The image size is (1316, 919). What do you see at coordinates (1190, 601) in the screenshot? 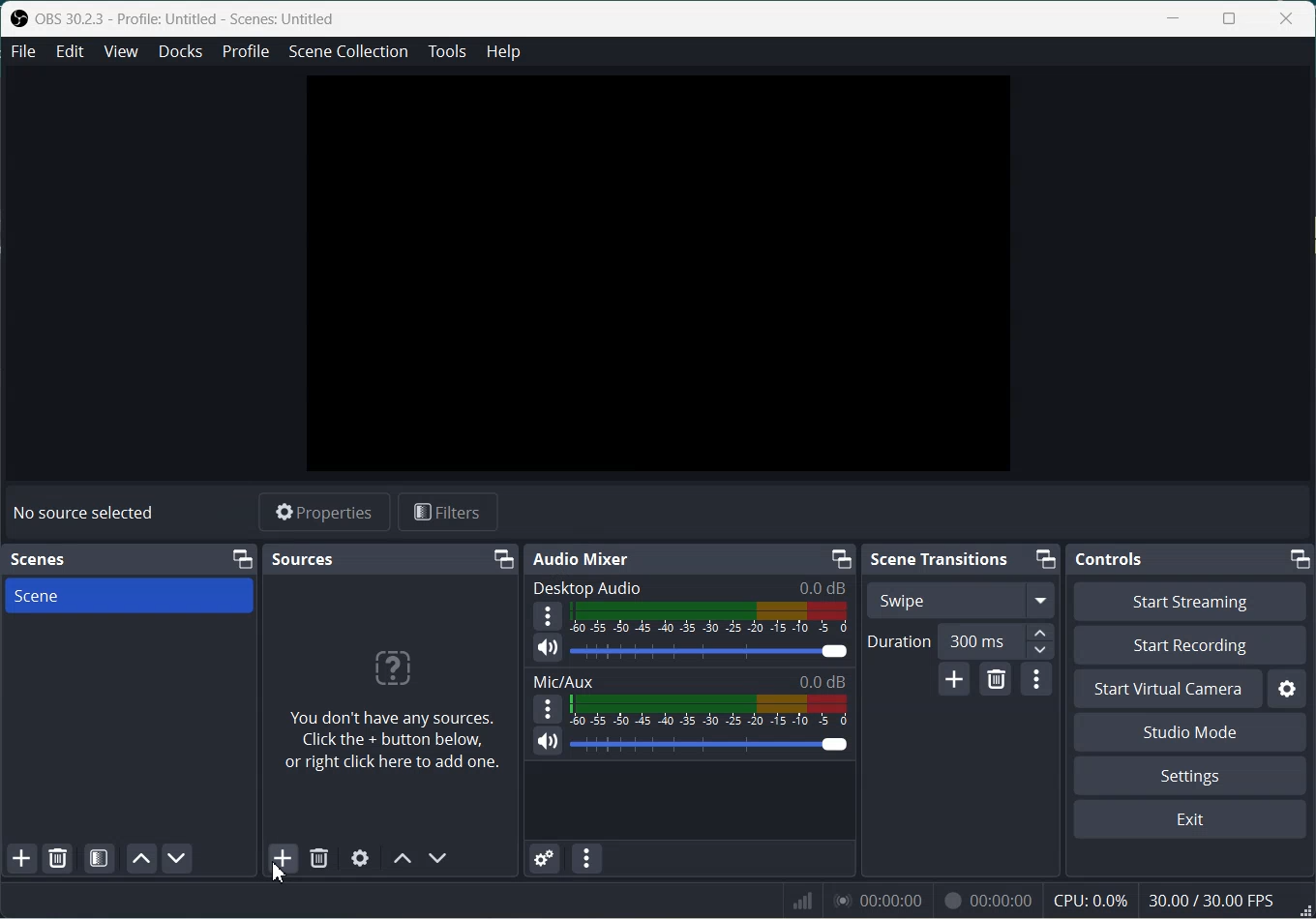
I see `Start Streaming` at bounding box center [1190, 601].